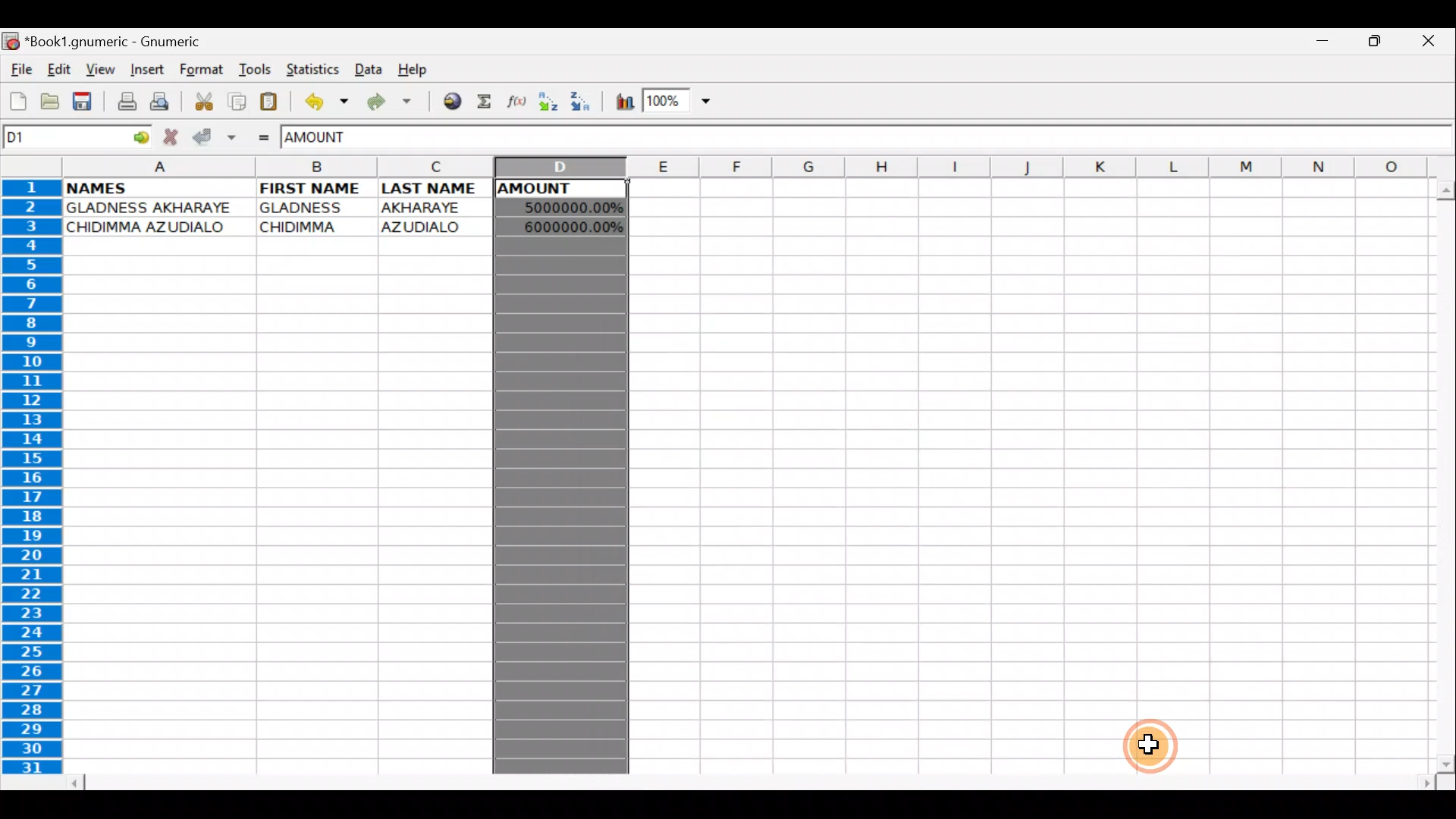  I want to click on Maximize, so click(1375, 45).